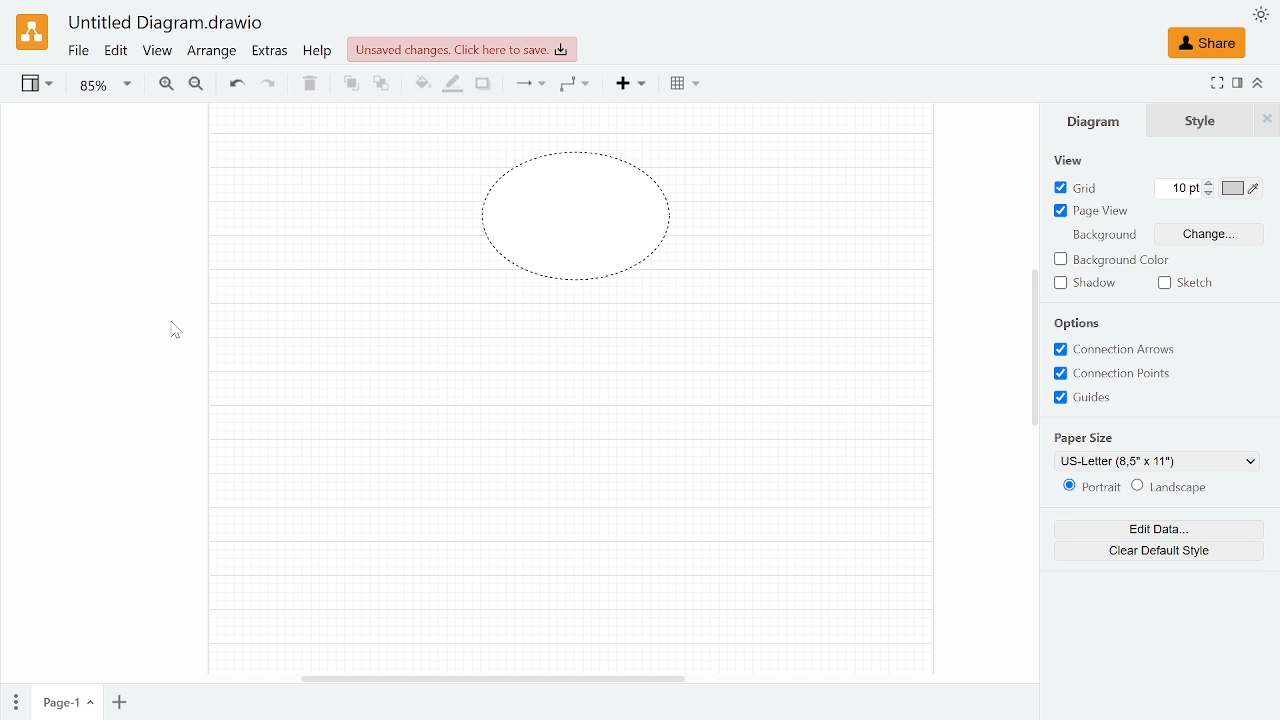 The height and width of the screenshot is (720, 1280). Describe the element at coordinates (626, 85) in the screenshot. I see `insert` at that location.